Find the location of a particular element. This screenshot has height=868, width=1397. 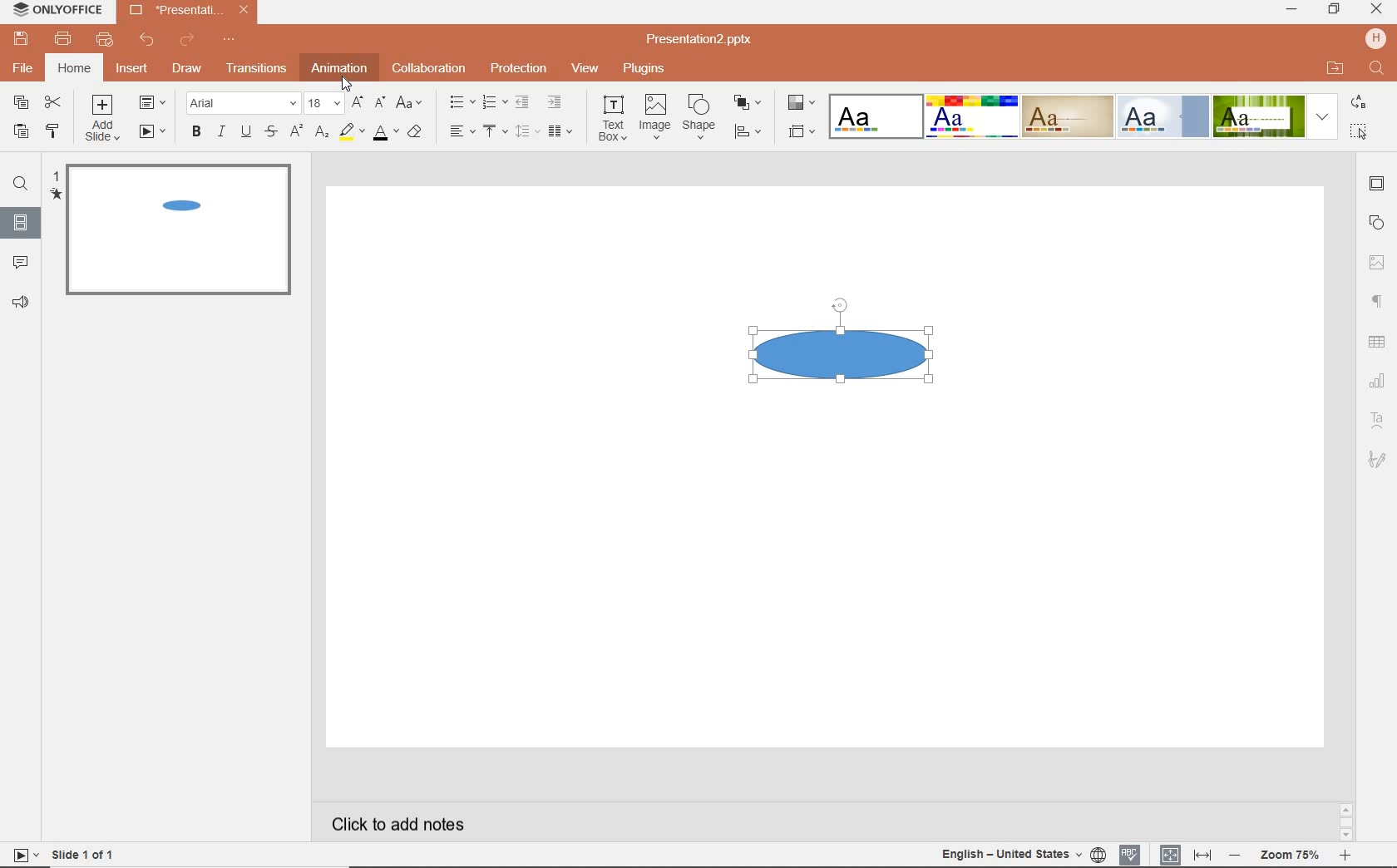

spell checking is located at coordinates (1131, 856).